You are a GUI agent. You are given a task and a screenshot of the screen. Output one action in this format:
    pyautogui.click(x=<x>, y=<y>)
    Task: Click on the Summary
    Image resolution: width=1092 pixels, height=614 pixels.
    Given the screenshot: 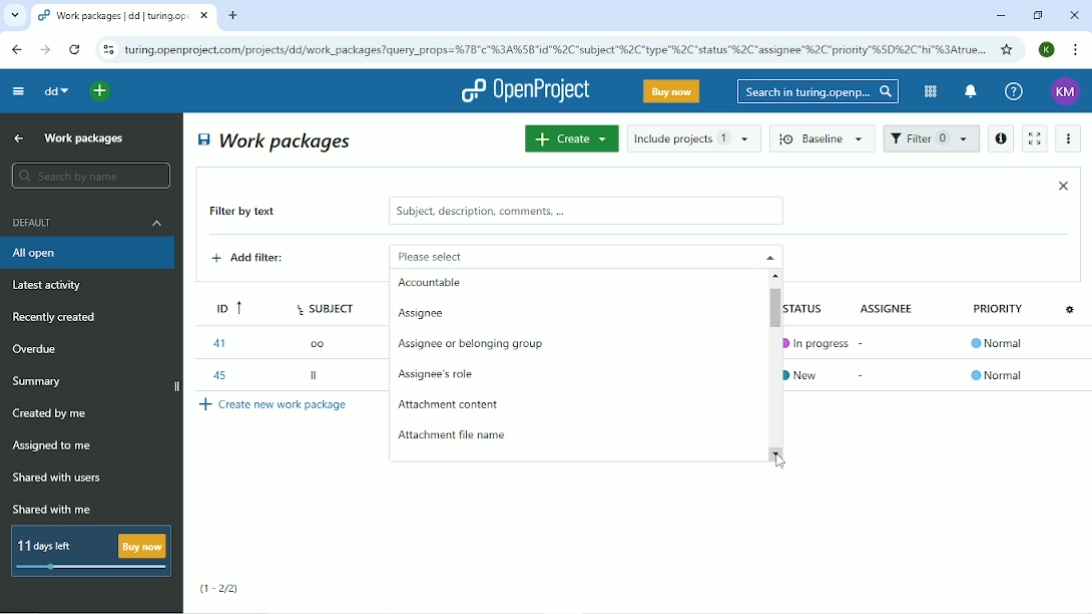 What is the action you would take?
    pyautogui.click(x=40, y=381)
    